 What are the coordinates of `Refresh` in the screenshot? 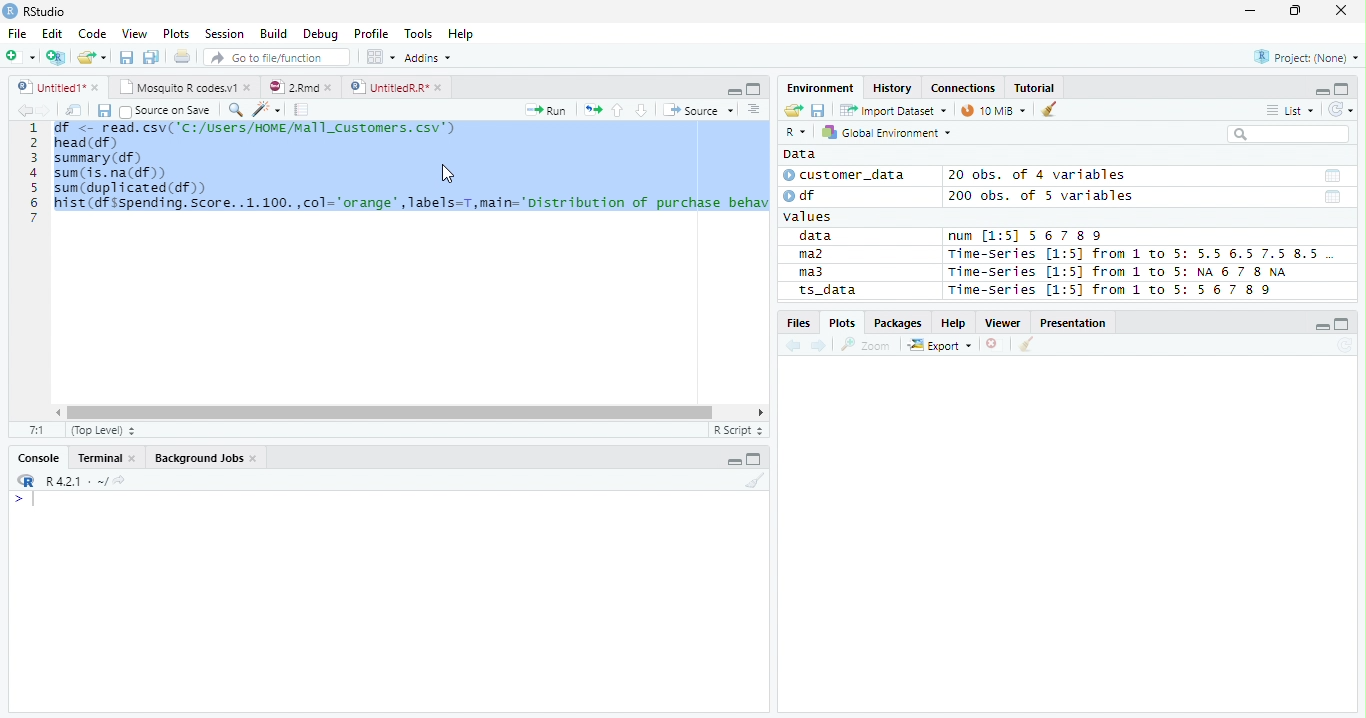 It's located at (1341, 107).